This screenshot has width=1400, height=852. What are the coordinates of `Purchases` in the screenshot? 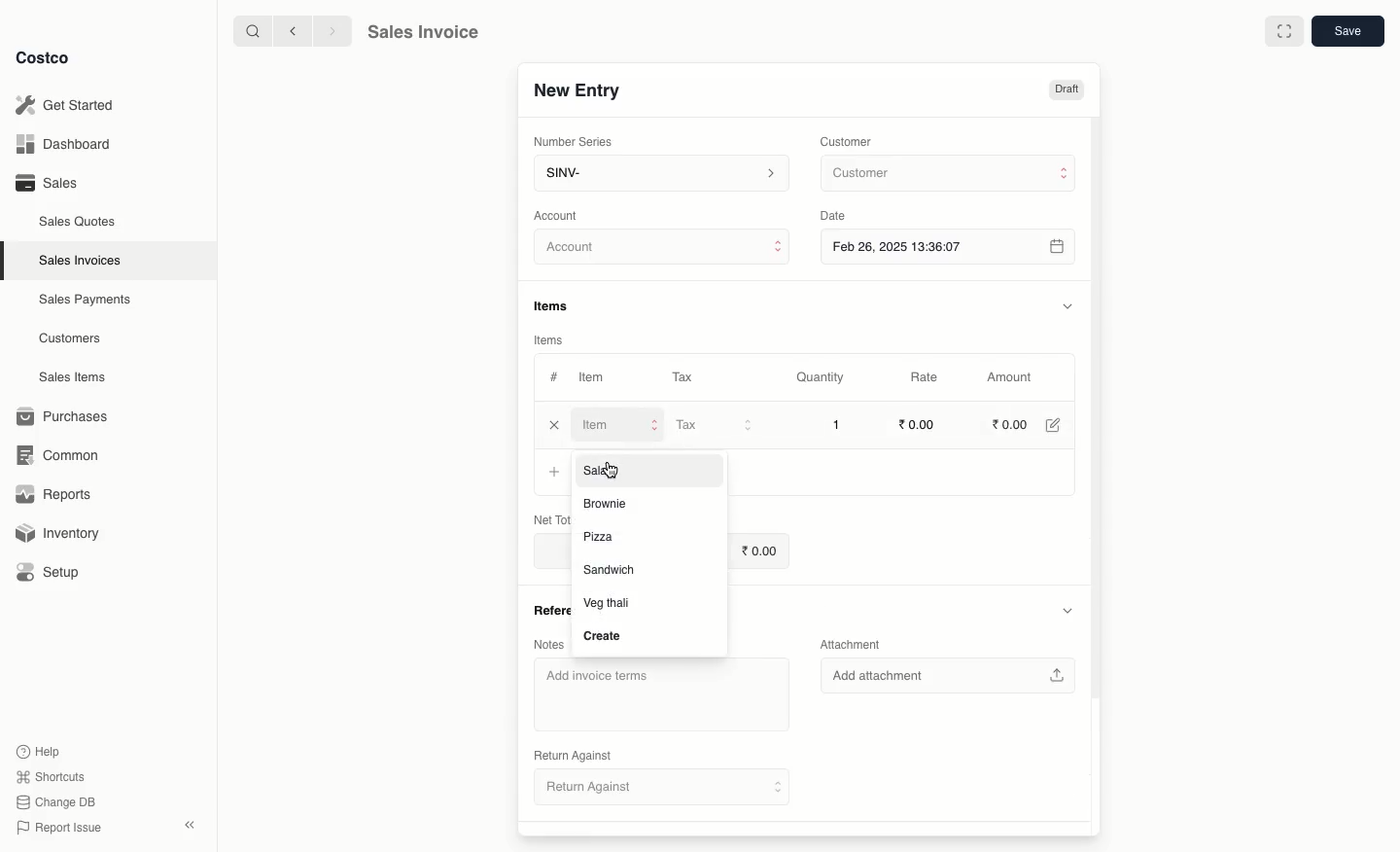 It's located at (67, 416).